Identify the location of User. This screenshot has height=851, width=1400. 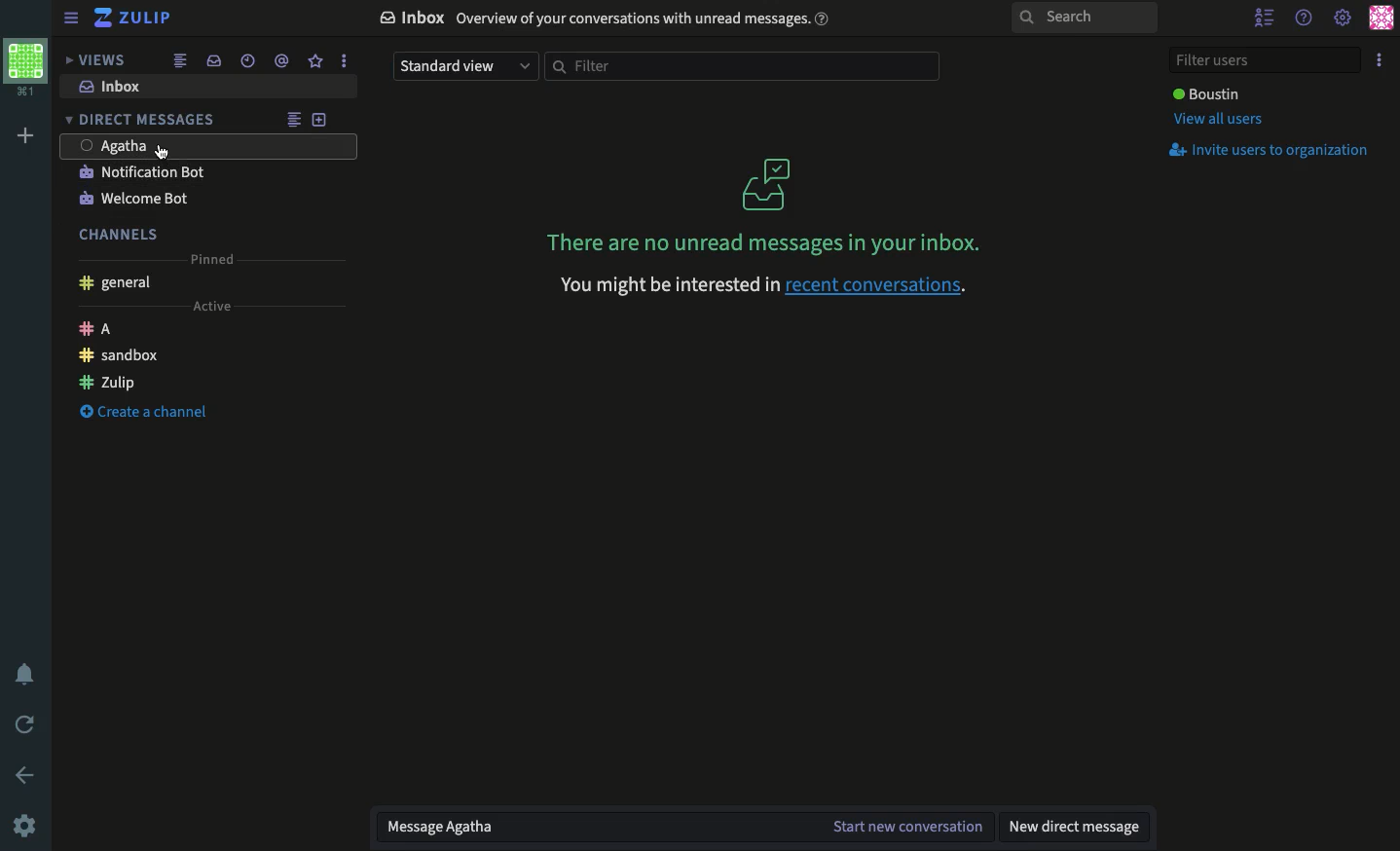
(209, 145).